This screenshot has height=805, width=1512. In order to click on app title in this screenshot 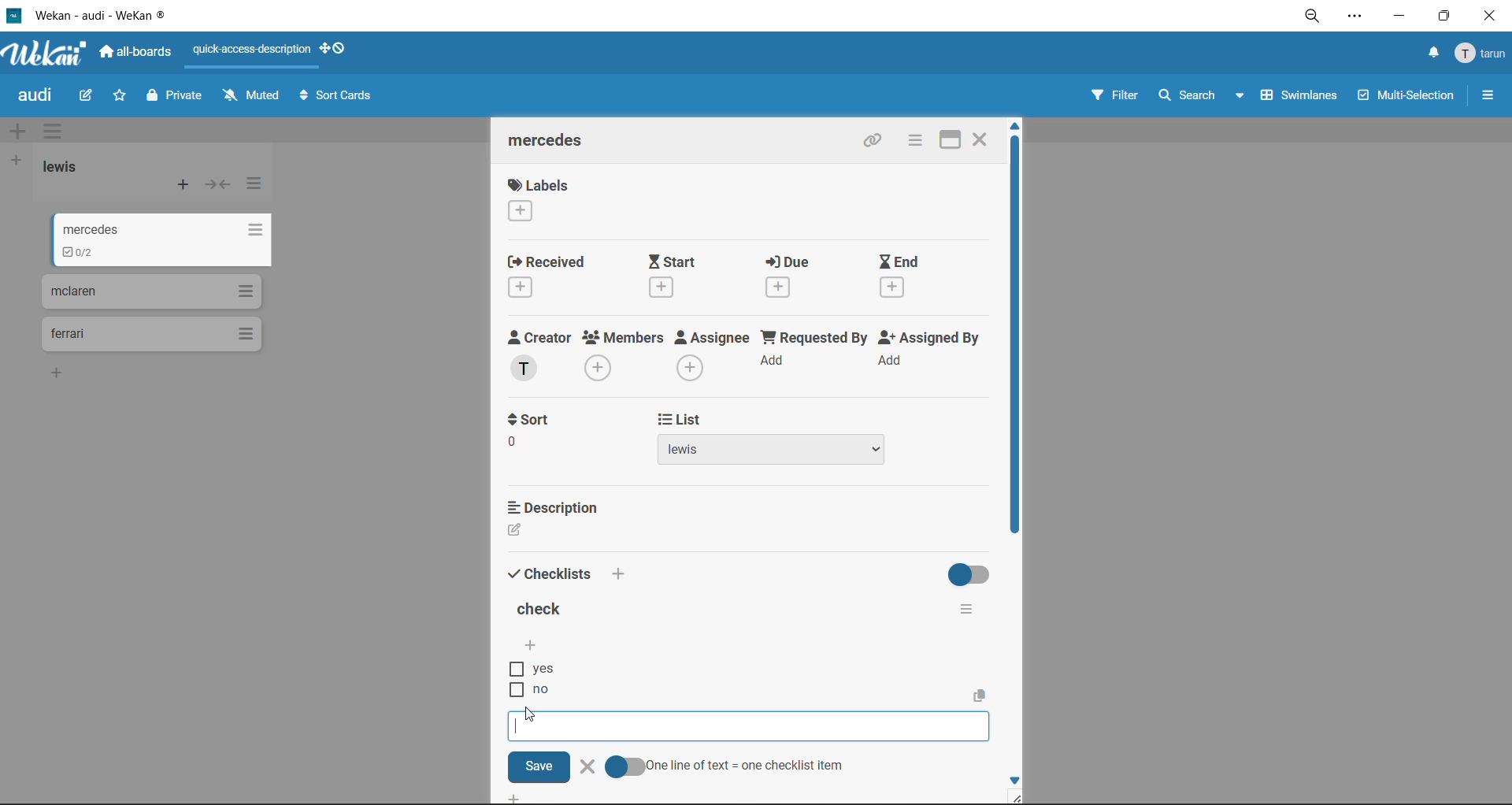, I will do `click(98, 17)`.